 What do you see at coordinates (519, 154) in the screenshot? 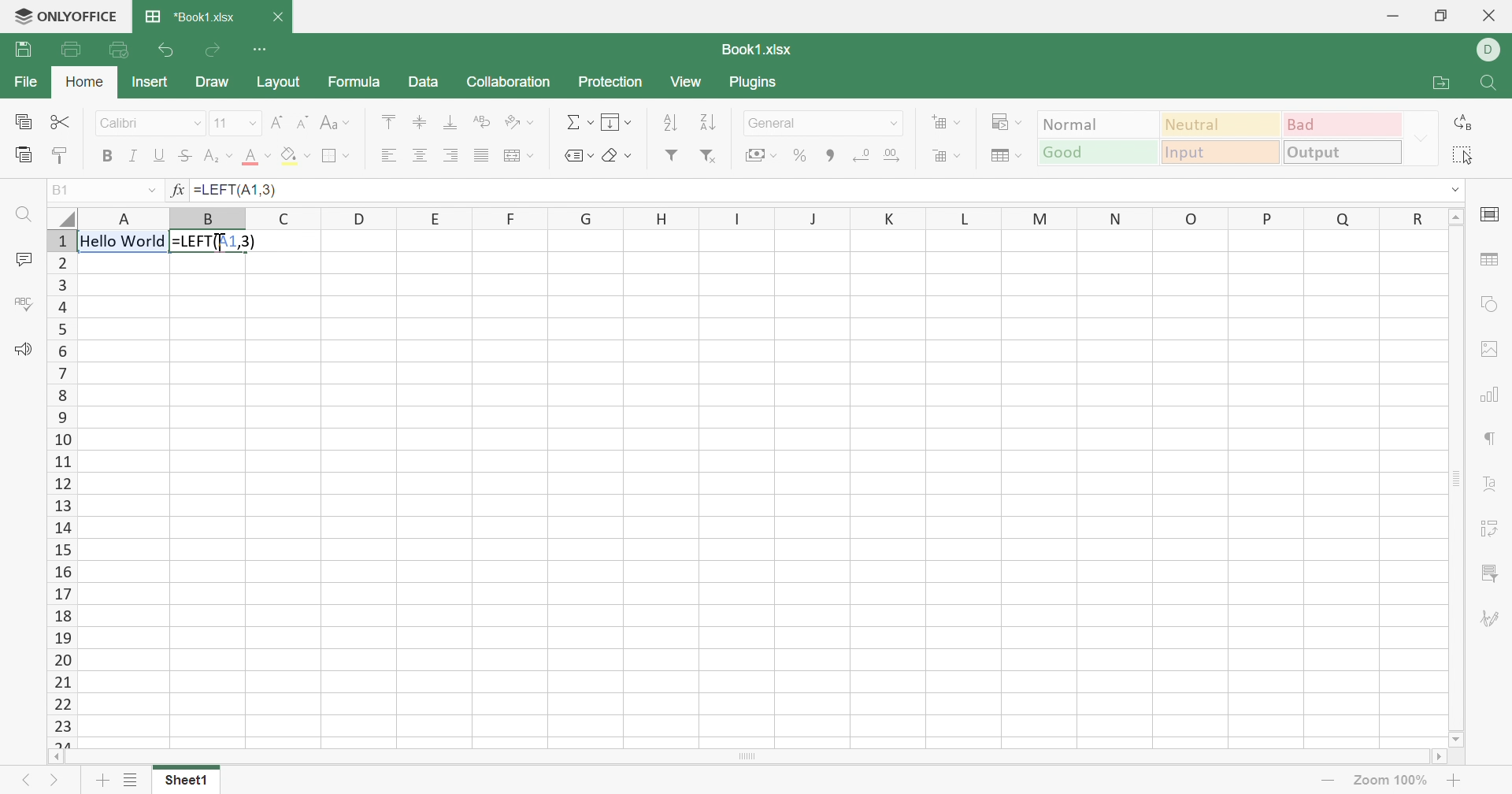
I see `Merged center` at bounding box center [519, 154].